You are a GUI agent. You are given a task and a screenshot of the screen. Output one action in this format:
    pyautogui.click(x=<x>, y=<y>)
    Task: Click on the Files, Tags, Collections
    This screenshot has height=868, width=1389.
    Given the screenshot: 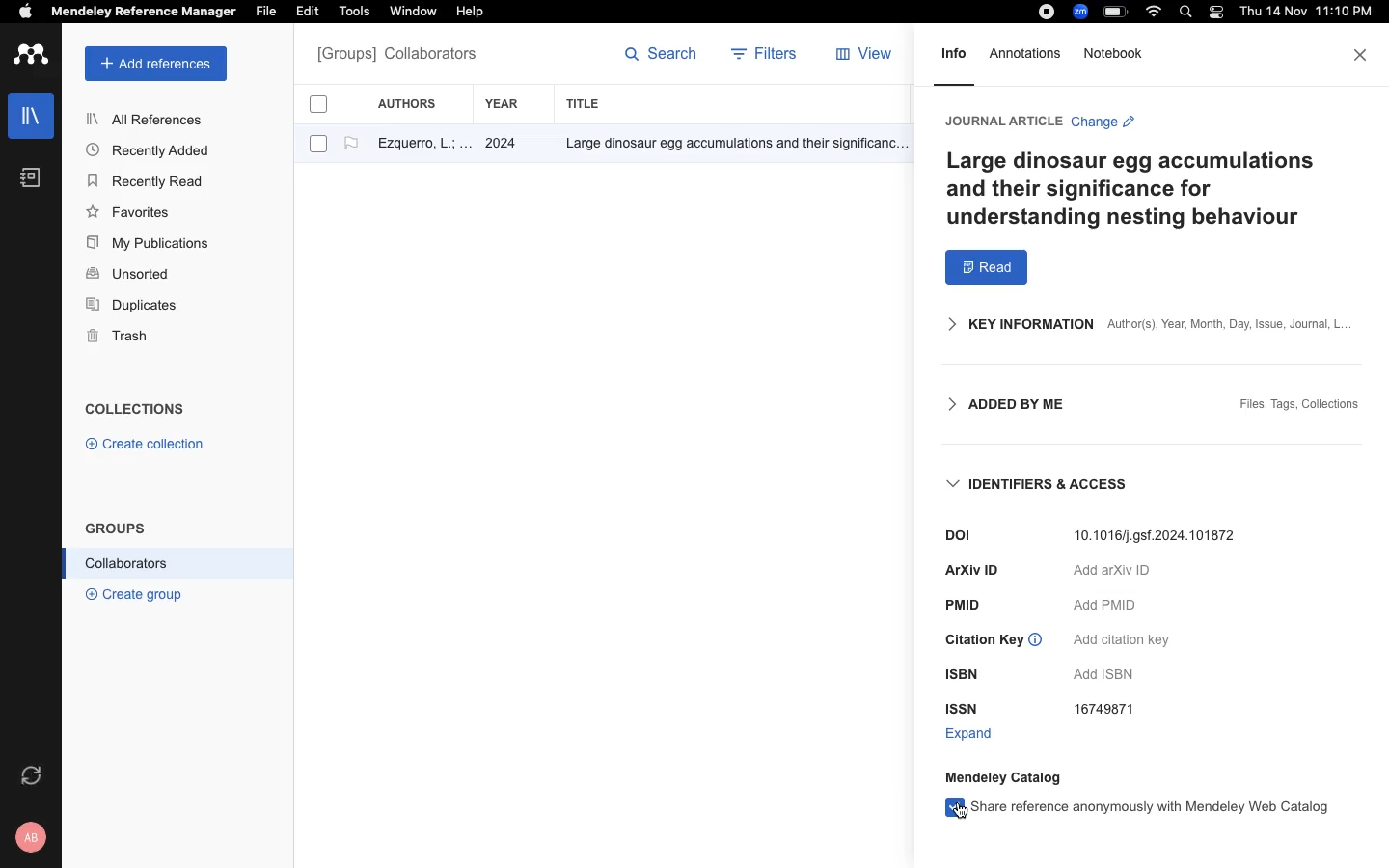 What is the action you would take?
    pyautogui.click(x=1300, y=406)
    